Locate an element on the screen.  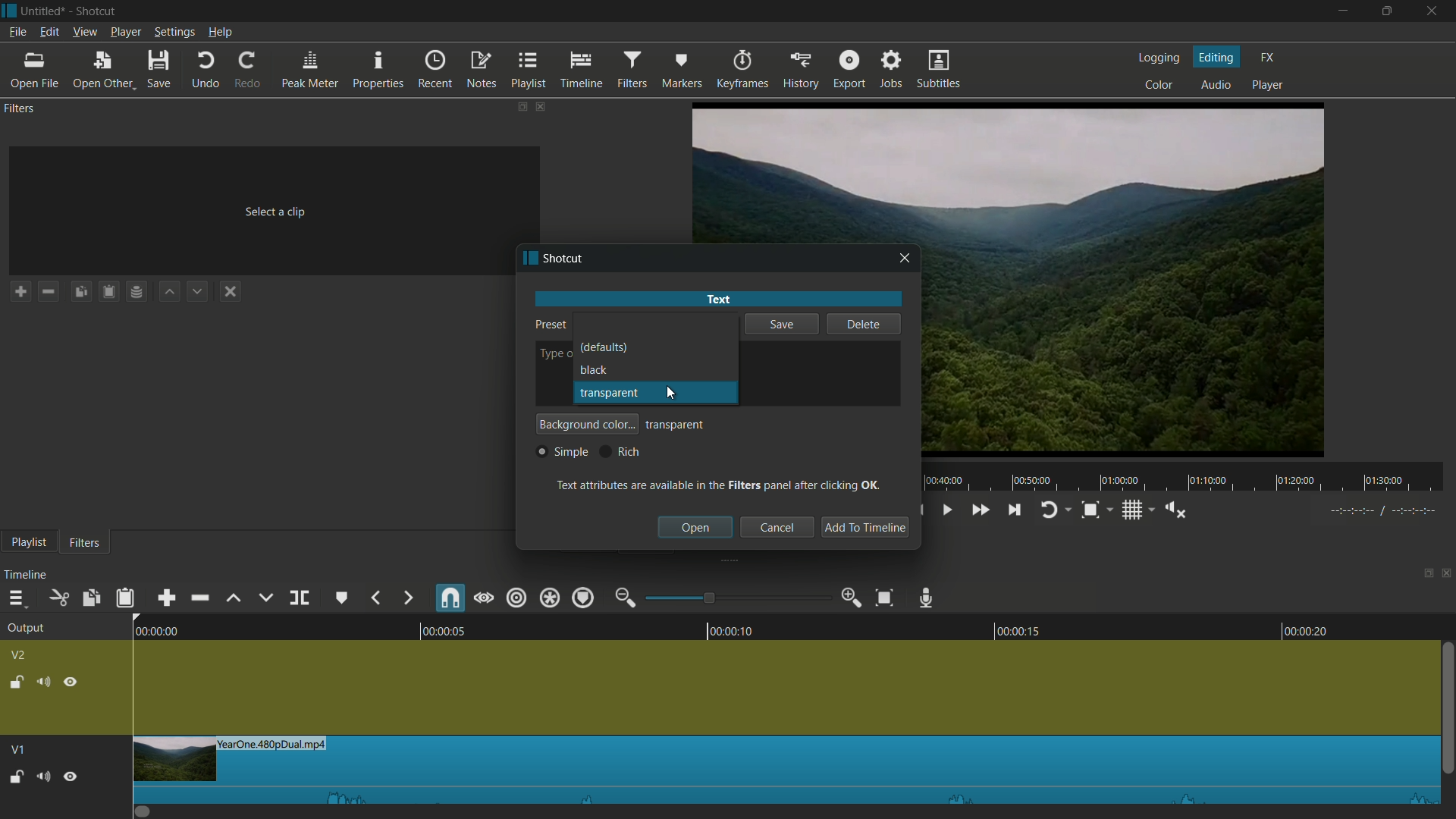
toggle play or pause is located at coordinates (949, 510).